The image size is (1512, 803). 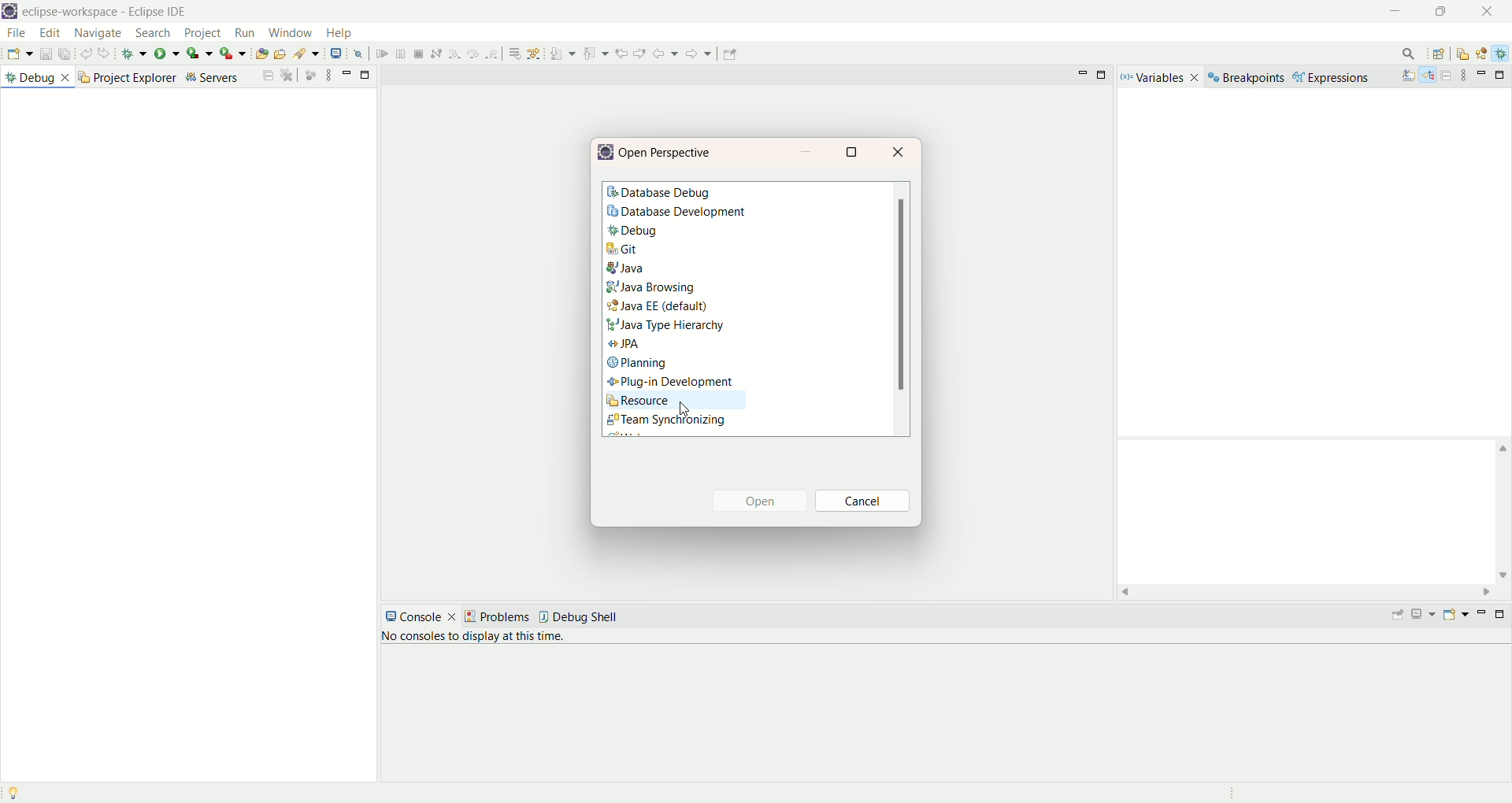 I want to click on save, so click(x=43, y=54).